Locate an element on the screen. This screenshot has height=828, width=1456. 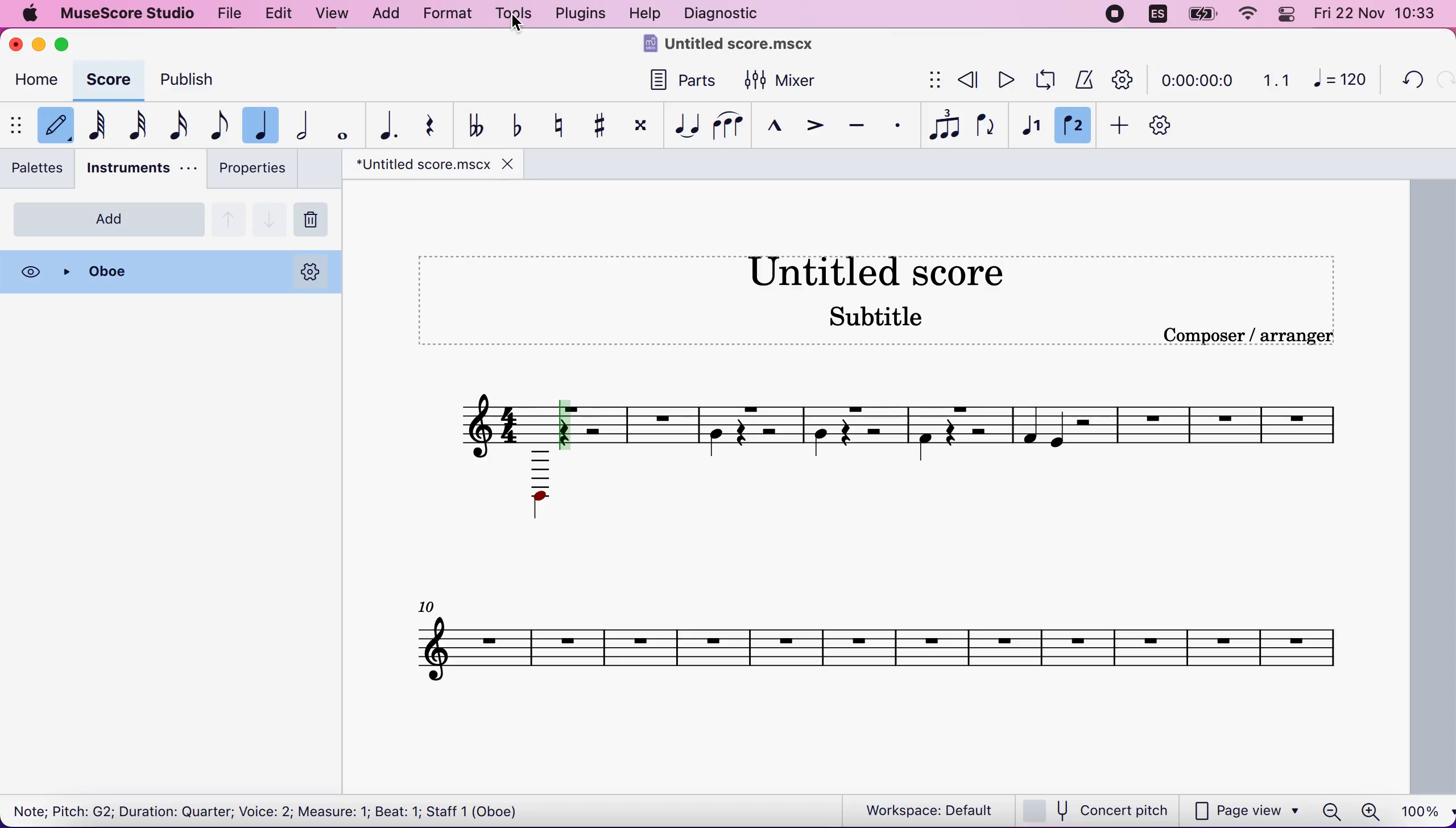
apple logo is located at coordinates (35, 15).